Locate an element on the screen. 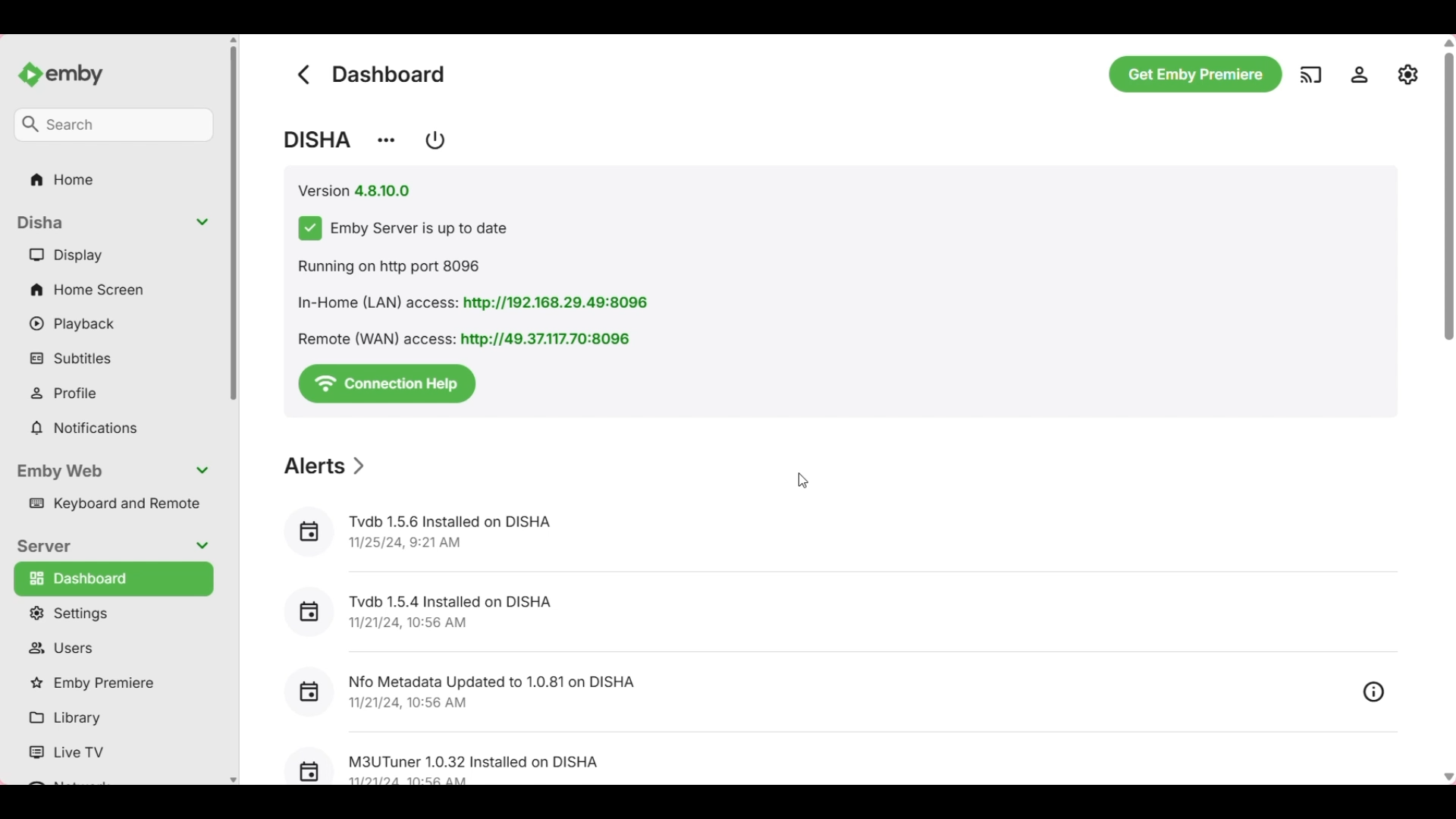 This screenshot has height=819, width=1456. Button to restart/shutdown Emby servers is located at coordinates (436, 140).